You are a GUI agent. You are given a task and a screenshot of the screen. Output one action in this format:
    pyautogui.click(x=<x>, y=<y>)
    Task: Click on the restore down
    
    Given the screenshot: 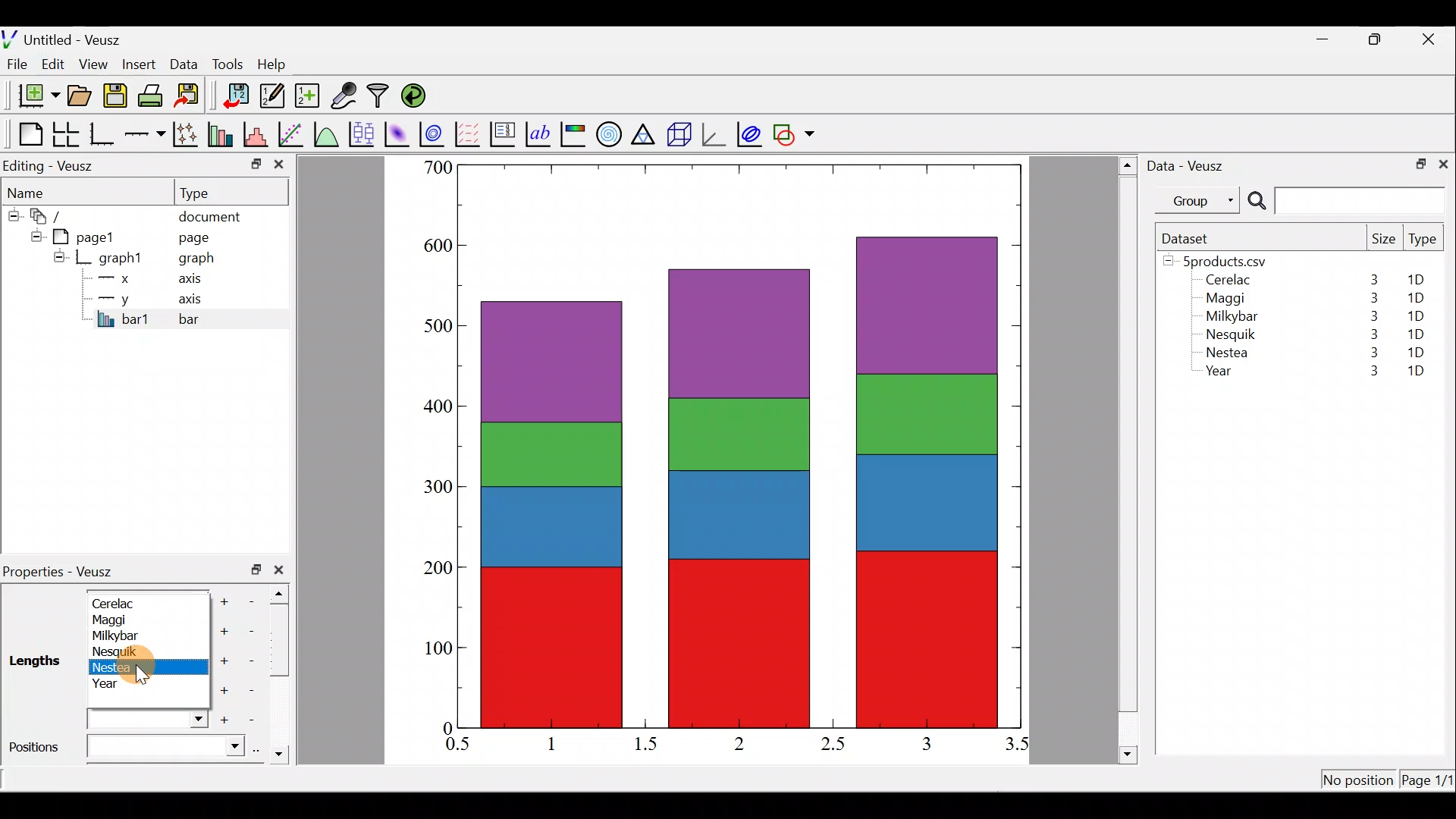 What is the action you would take?
    pyautogui.click(x=256, y=570)
    